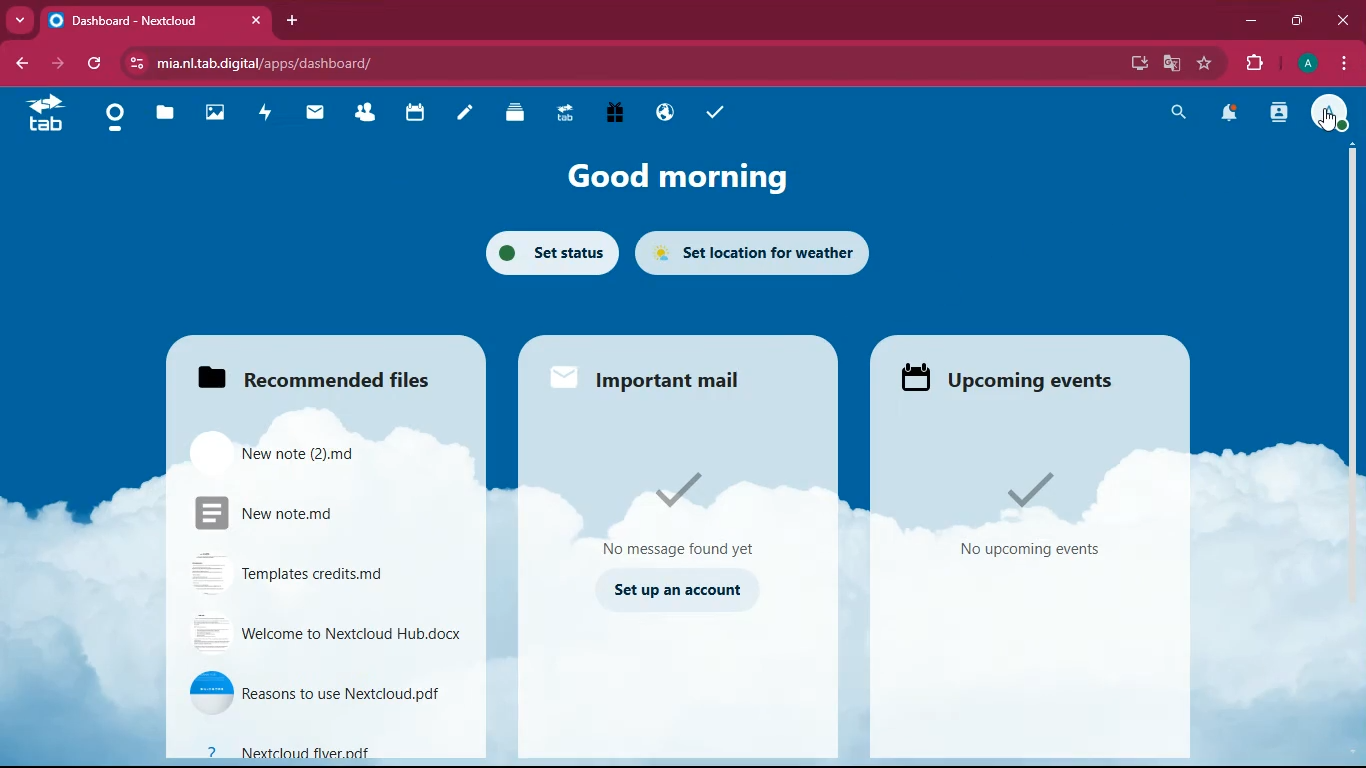  What do you see at coordinates (318, 752) in the screenshot?
I see `file` at bounding box center [318, 752].